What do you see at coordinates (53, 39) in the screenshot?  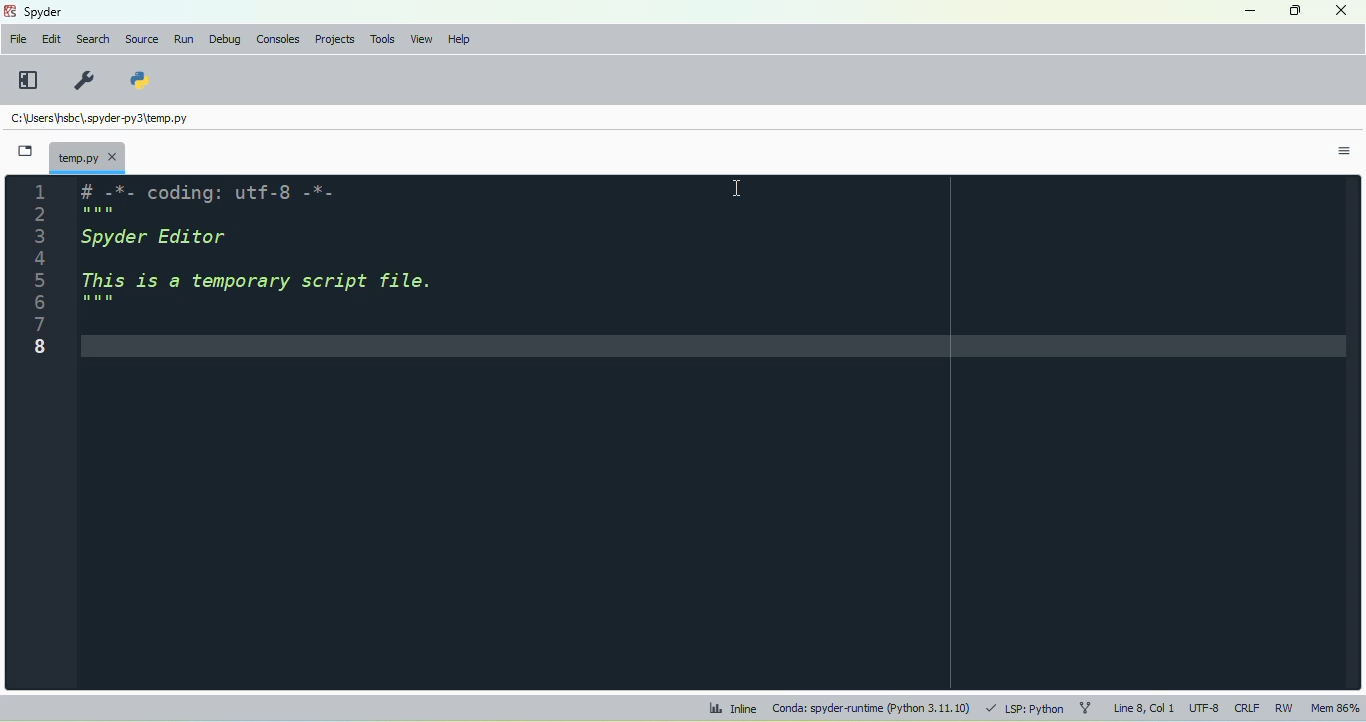 I see `edit` at bounding box center [53, 39].